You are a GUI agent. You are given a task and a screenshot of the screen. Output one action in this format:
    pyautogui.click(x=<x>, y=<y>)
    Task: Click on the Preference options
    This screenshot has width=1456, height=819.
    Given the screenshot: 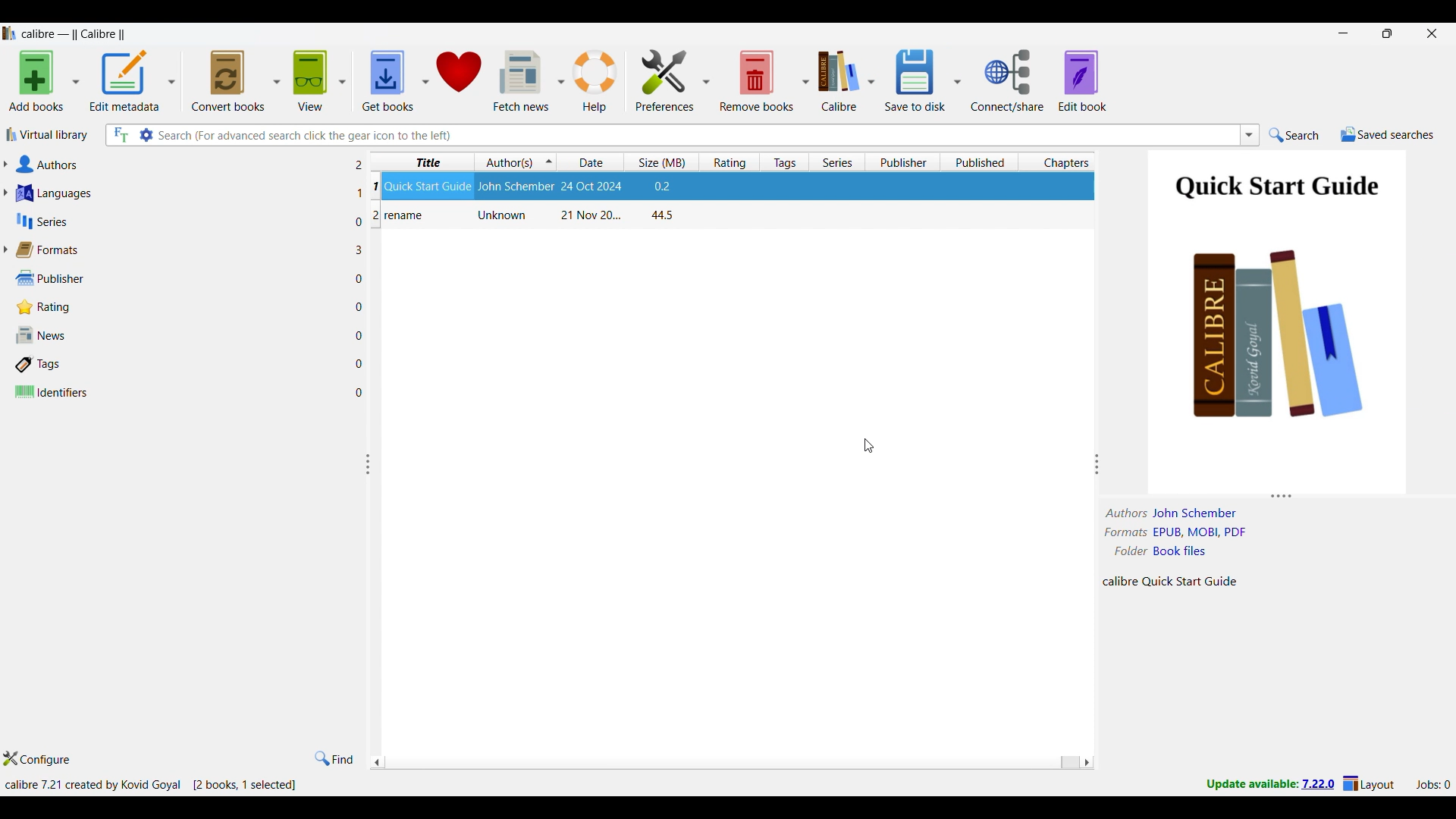 What is the action you would take?
    pyautogui.click(x=672, y=80)
    